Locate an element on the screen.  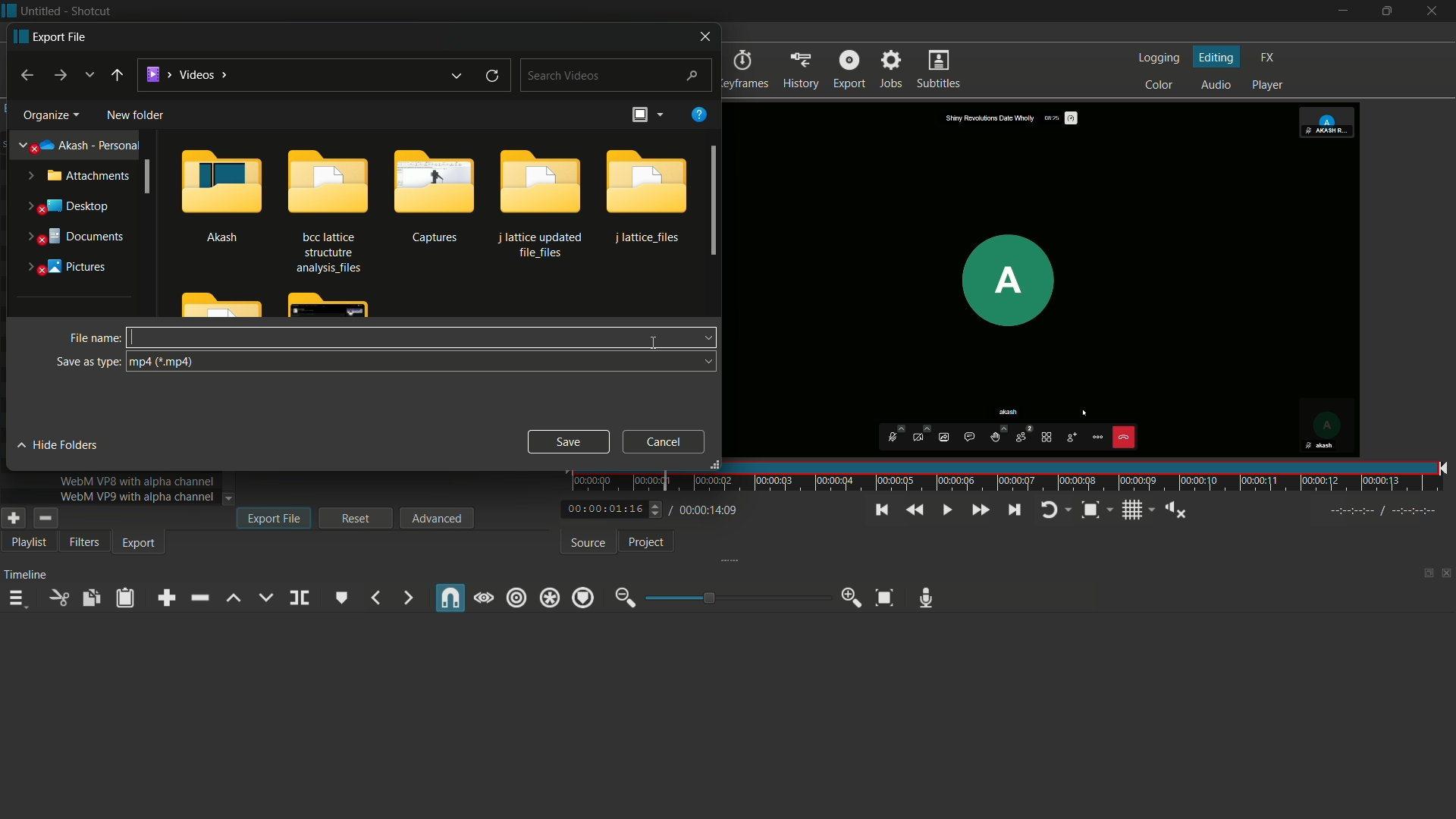
skip to the next point is located at coordinates (1016, 510).